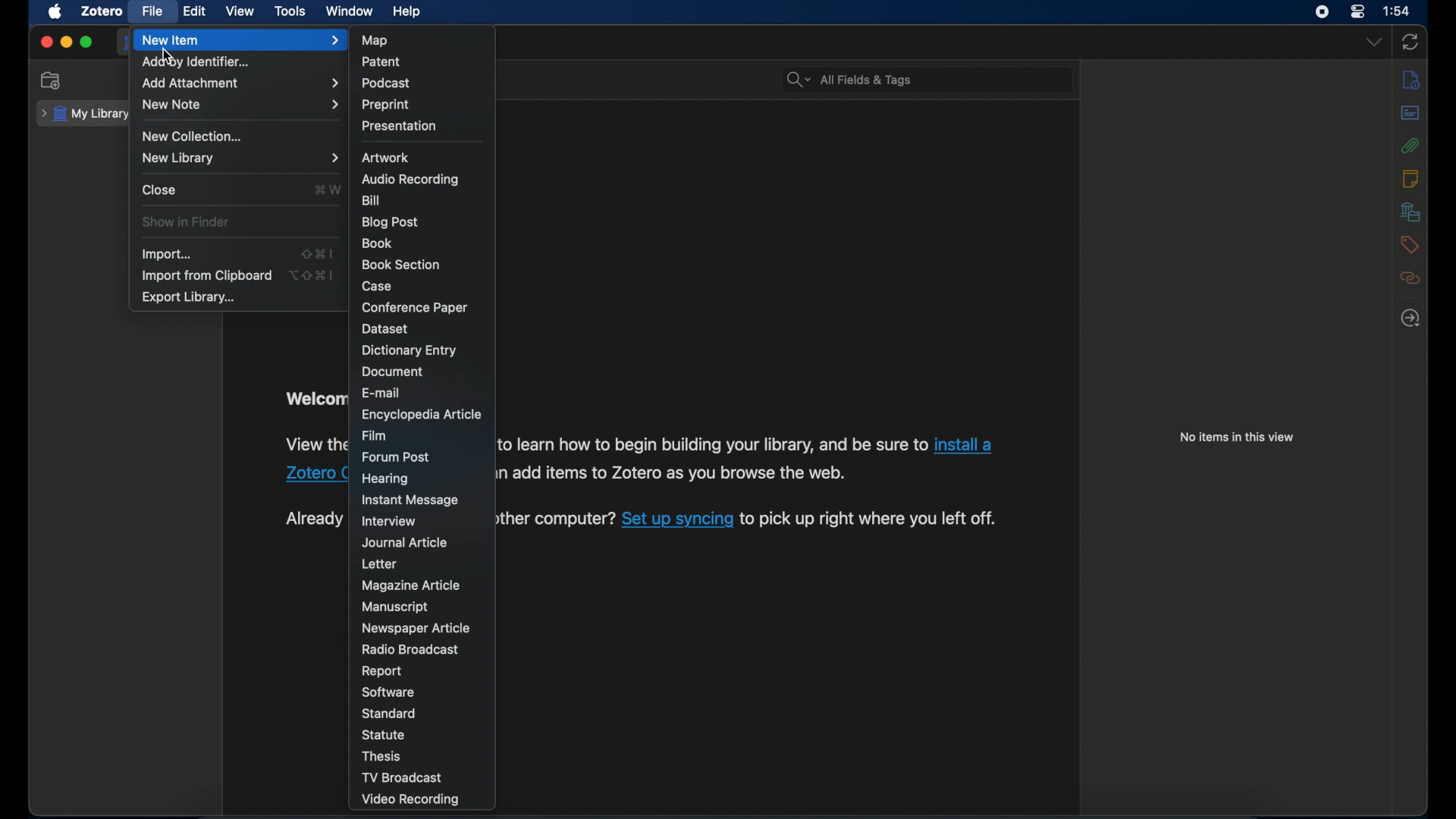  I want to click on my library, so click(85, 114).